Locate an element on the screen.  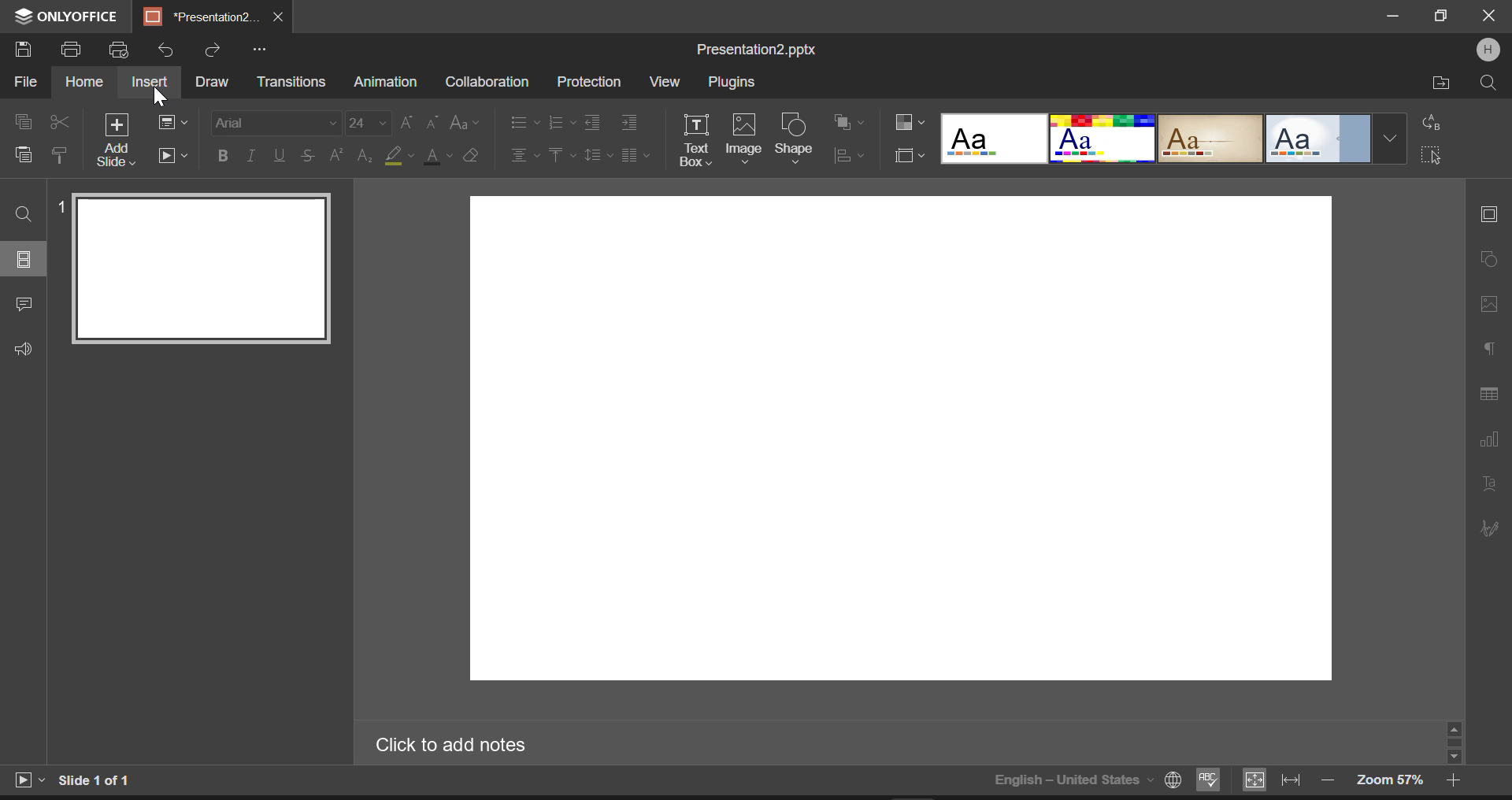
Copy is located at coordinates (24, 120).